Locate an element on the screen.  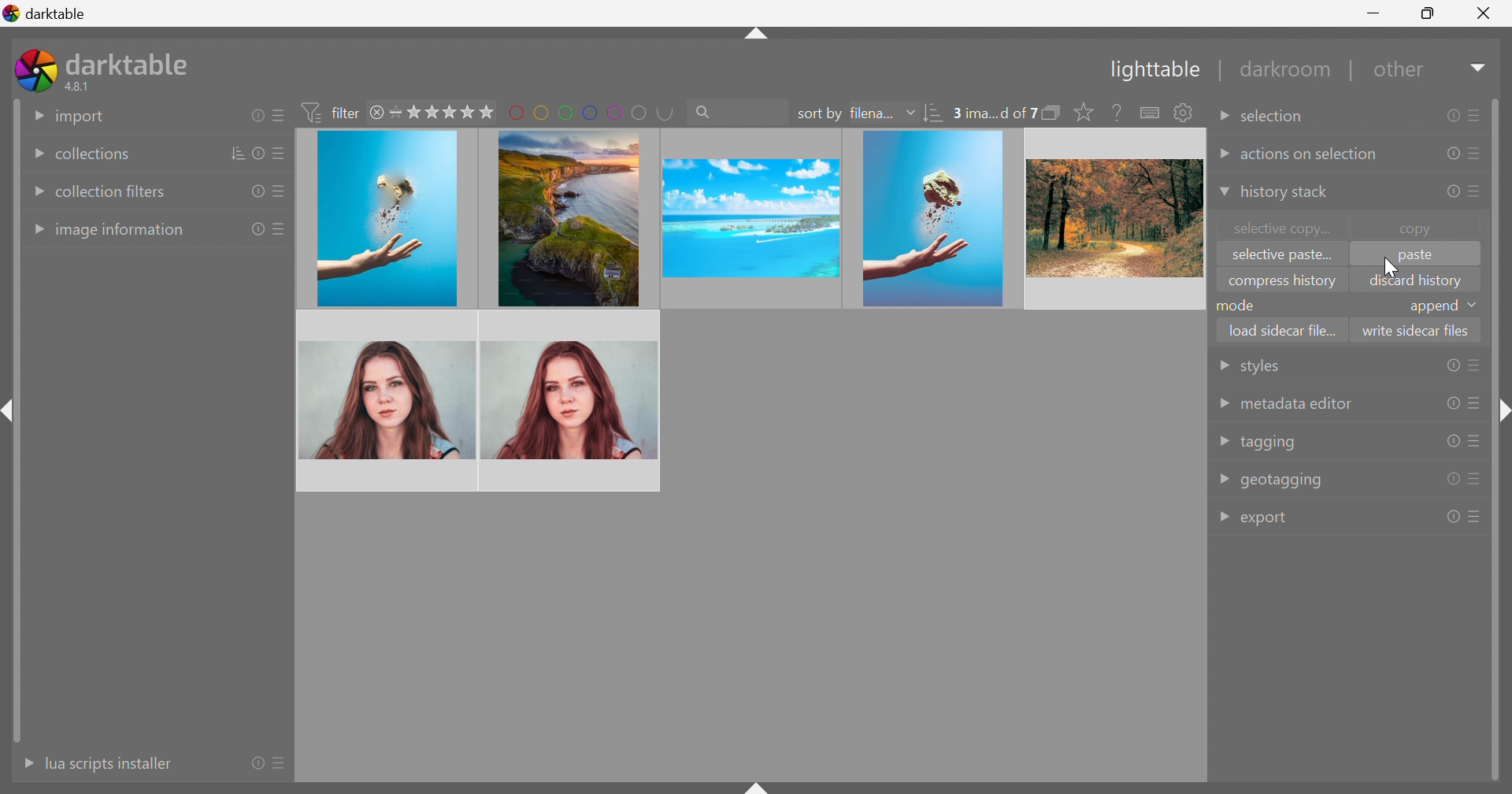
darktable is located at coordinates (46, 11).